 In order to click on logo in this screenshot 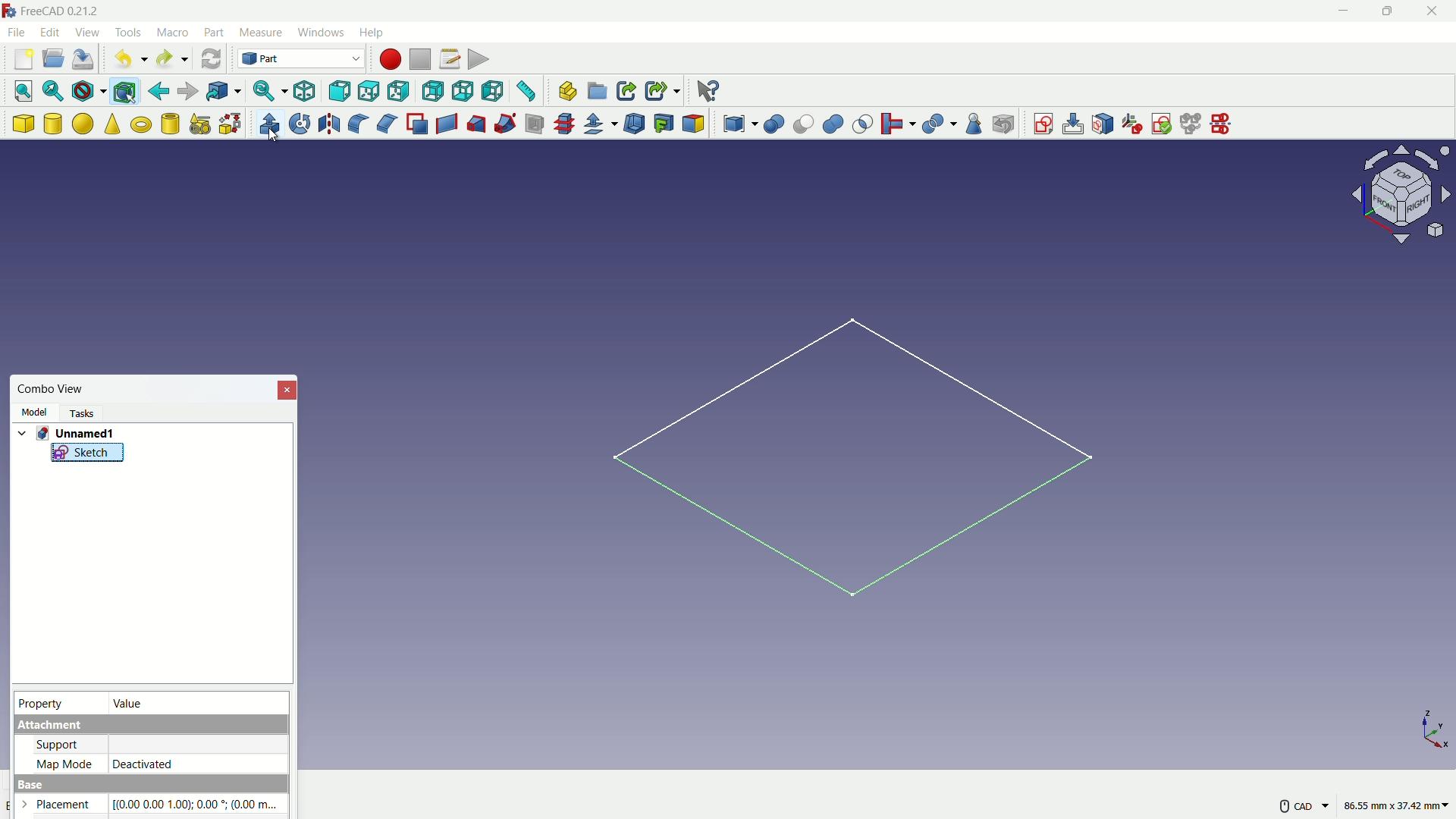, I will do `click(11, 11)`.